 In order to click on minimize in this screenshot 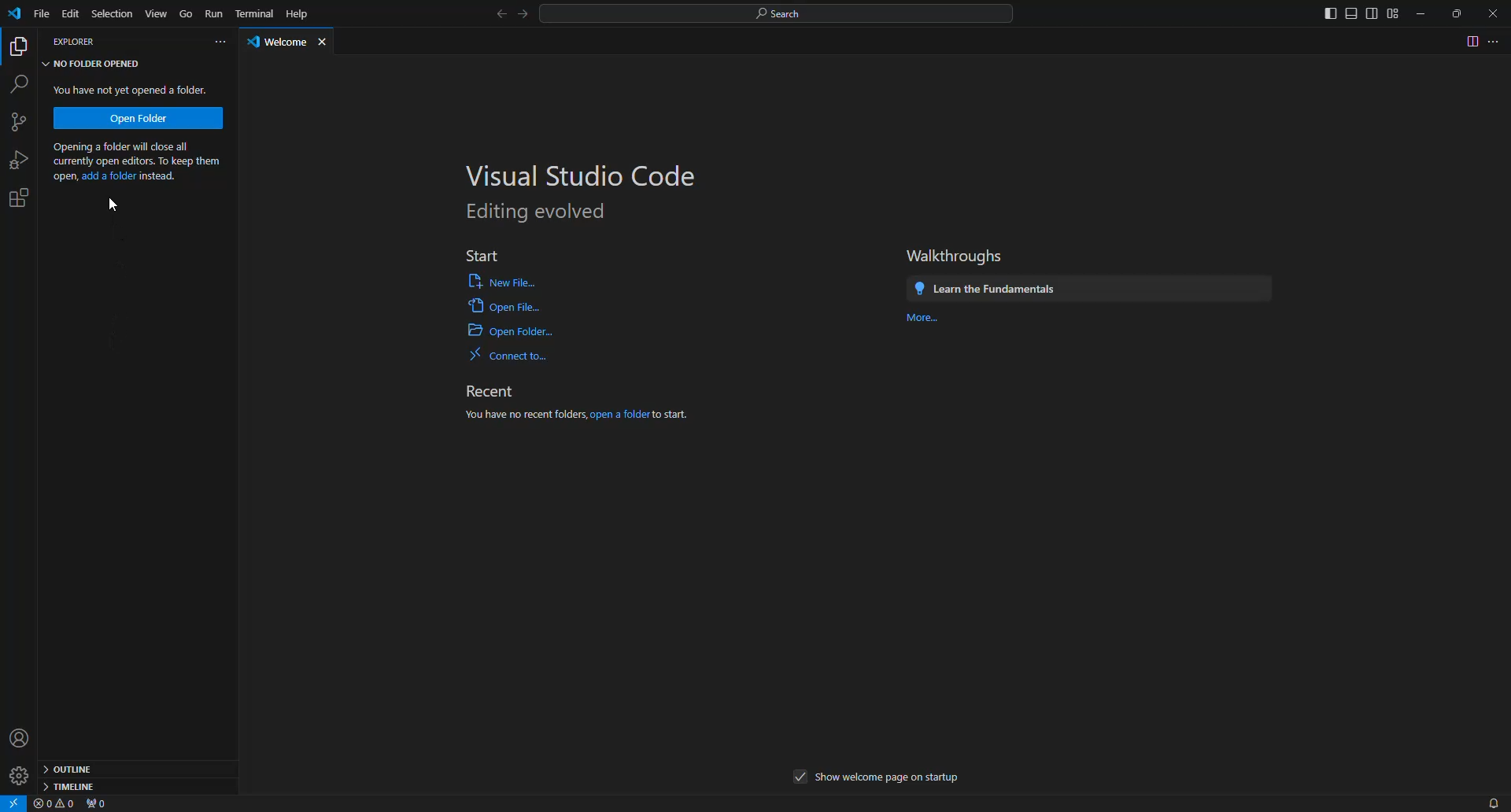, I will do `click(1421, 13)`.